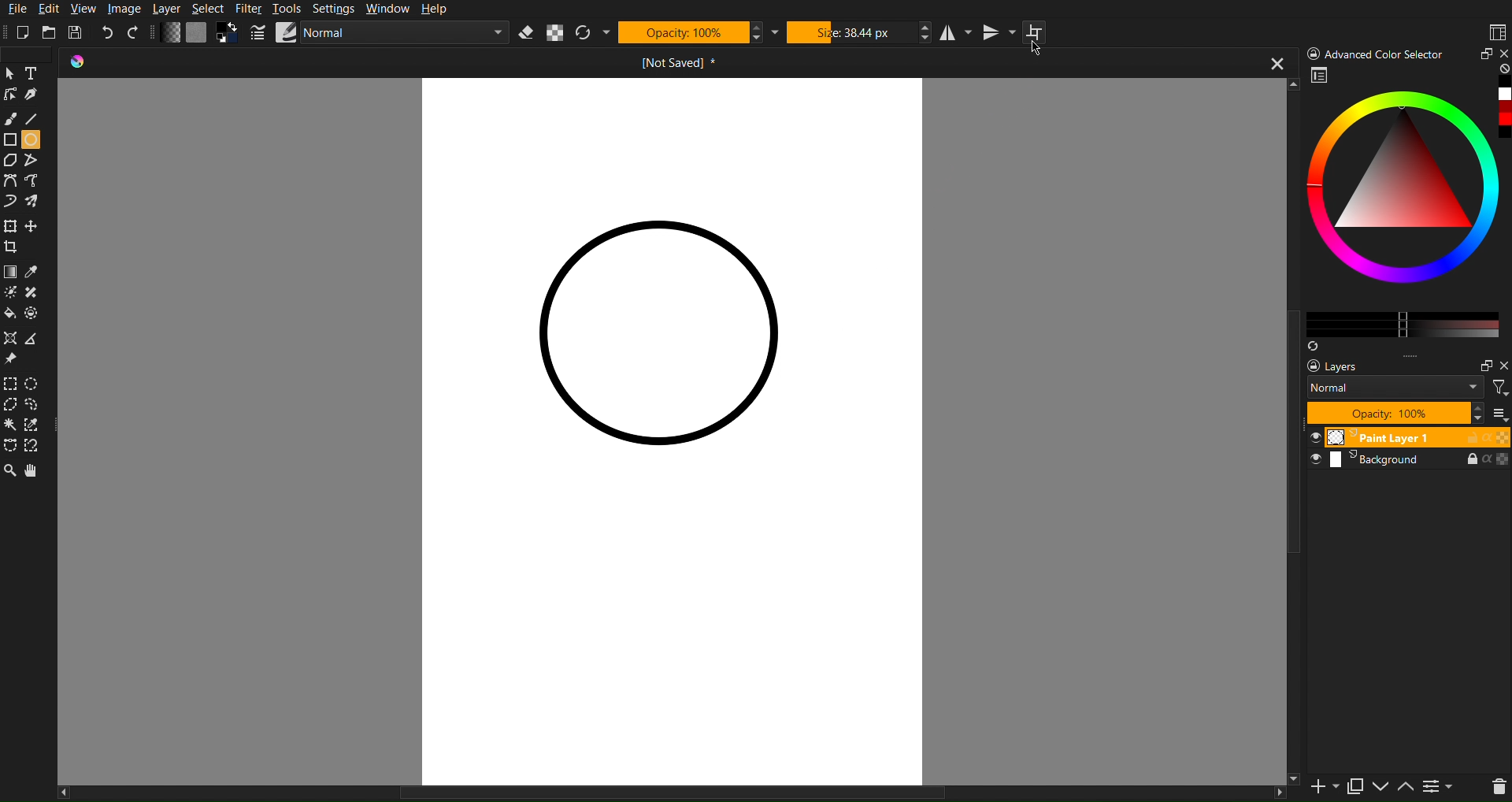 The width and height of the screenshot is (1512, 802). Describe the element at coordinates (1408, 462) in the screenshot. I see `Background` at that location.